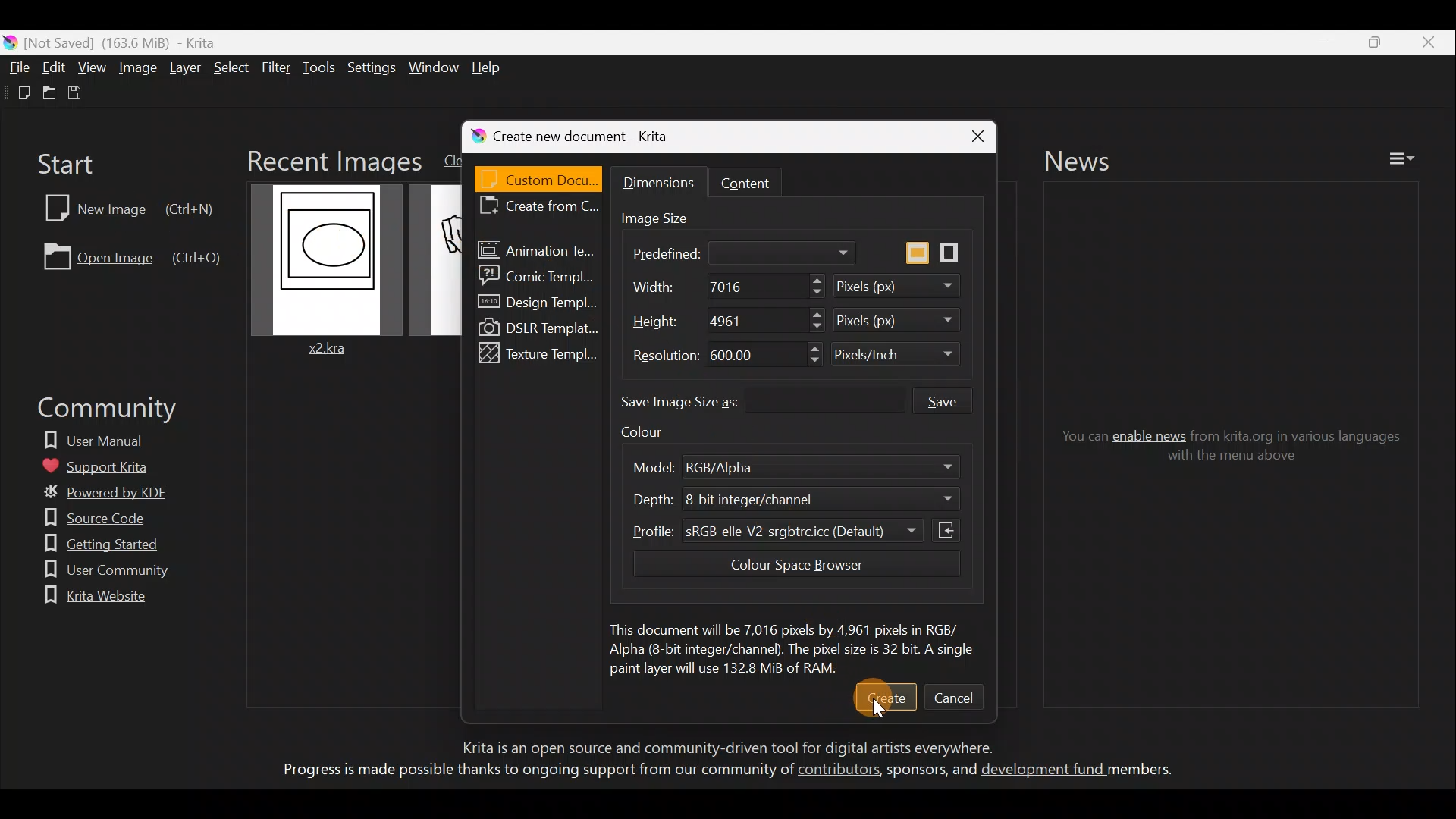 The width and height of the screenshot is (1456, 819). I want to click on with the menu above, so click(1228, 459).